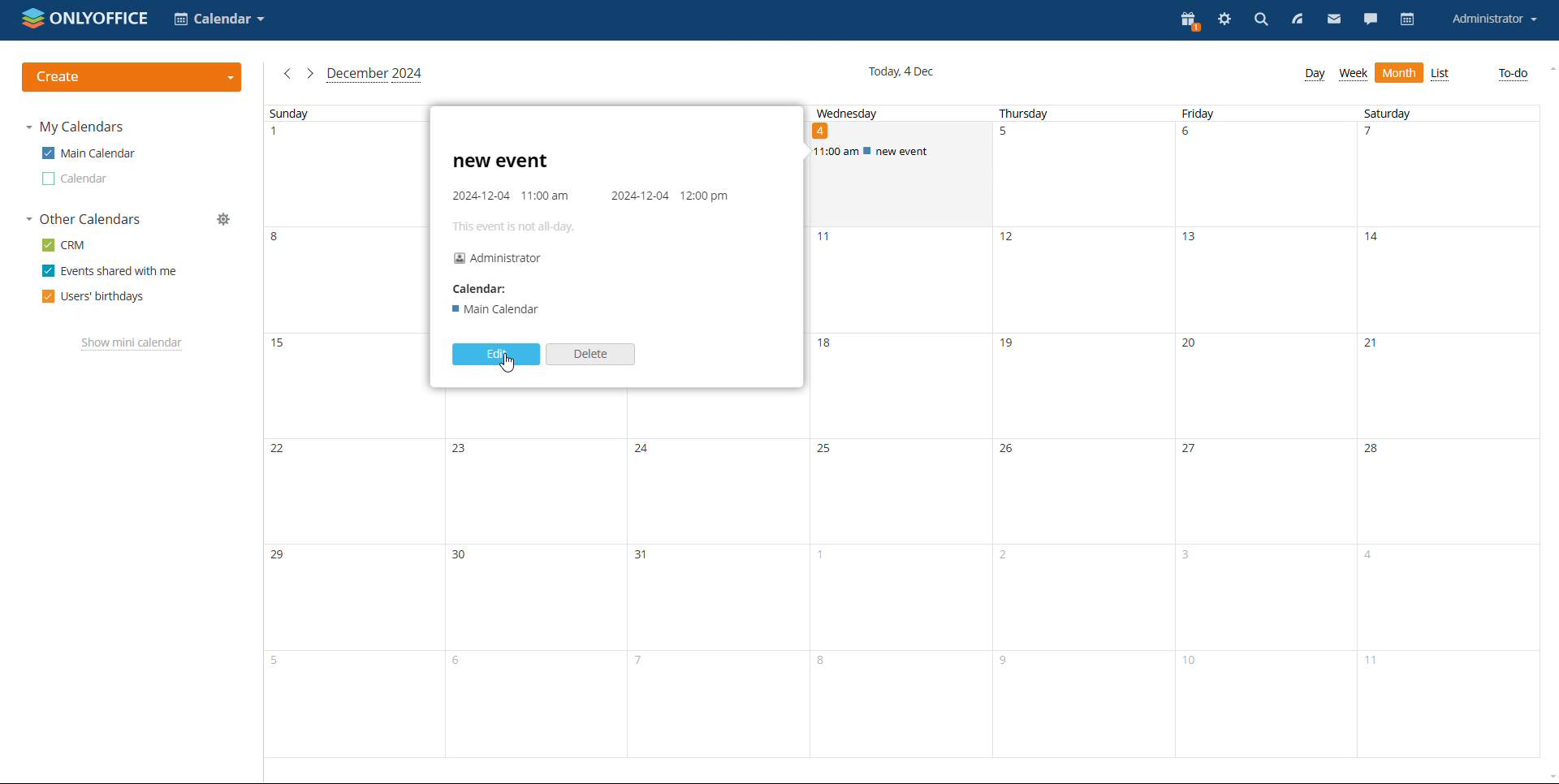 The image size is (1559, 784). What do you see at coordinates (1399, 73) in the screenshot?
I see `list view` at bounding box center [1399, 73].